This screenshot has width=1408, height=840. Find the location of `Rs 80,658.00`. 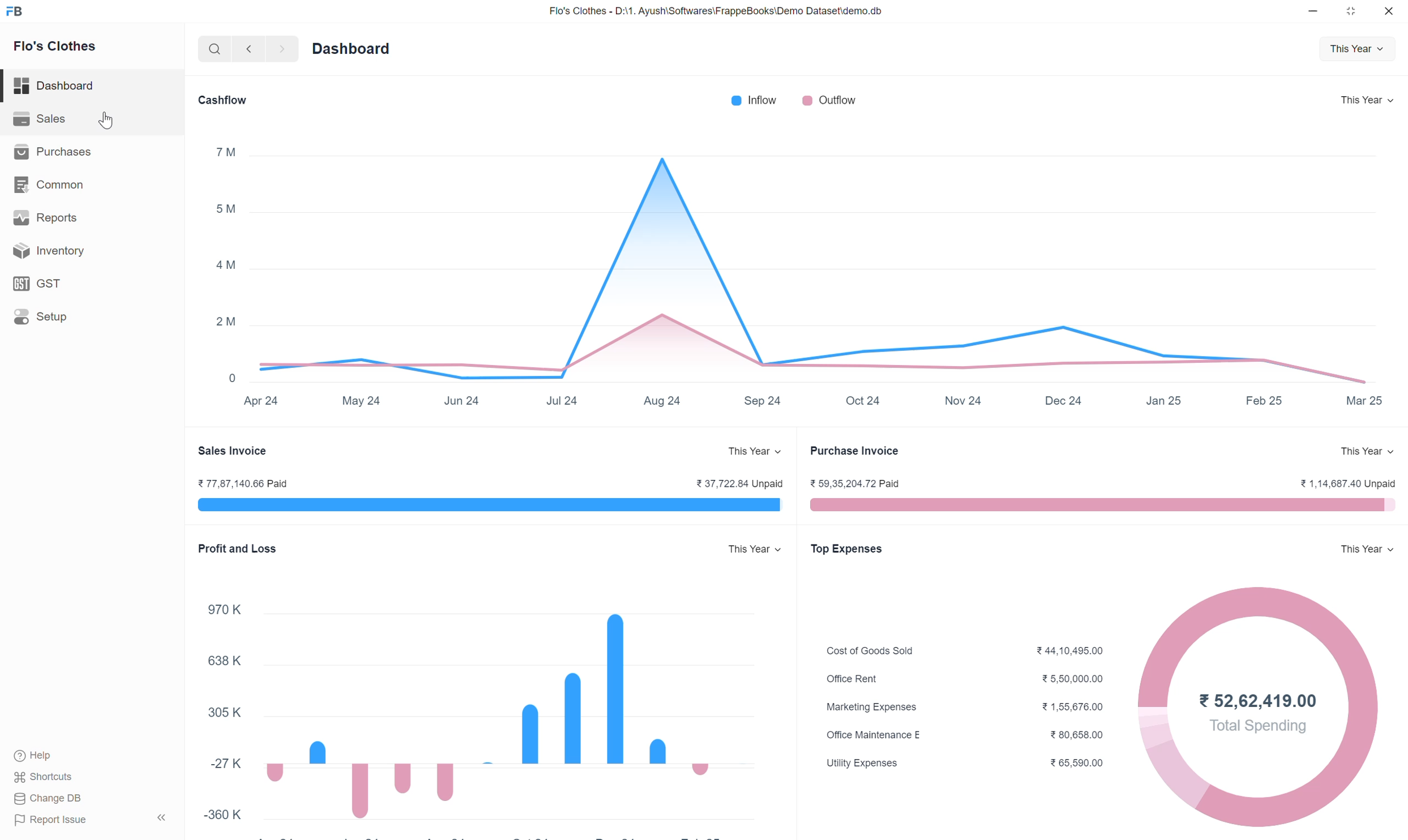

Rs 80,658.00 is located at coordinates (1083, 734).